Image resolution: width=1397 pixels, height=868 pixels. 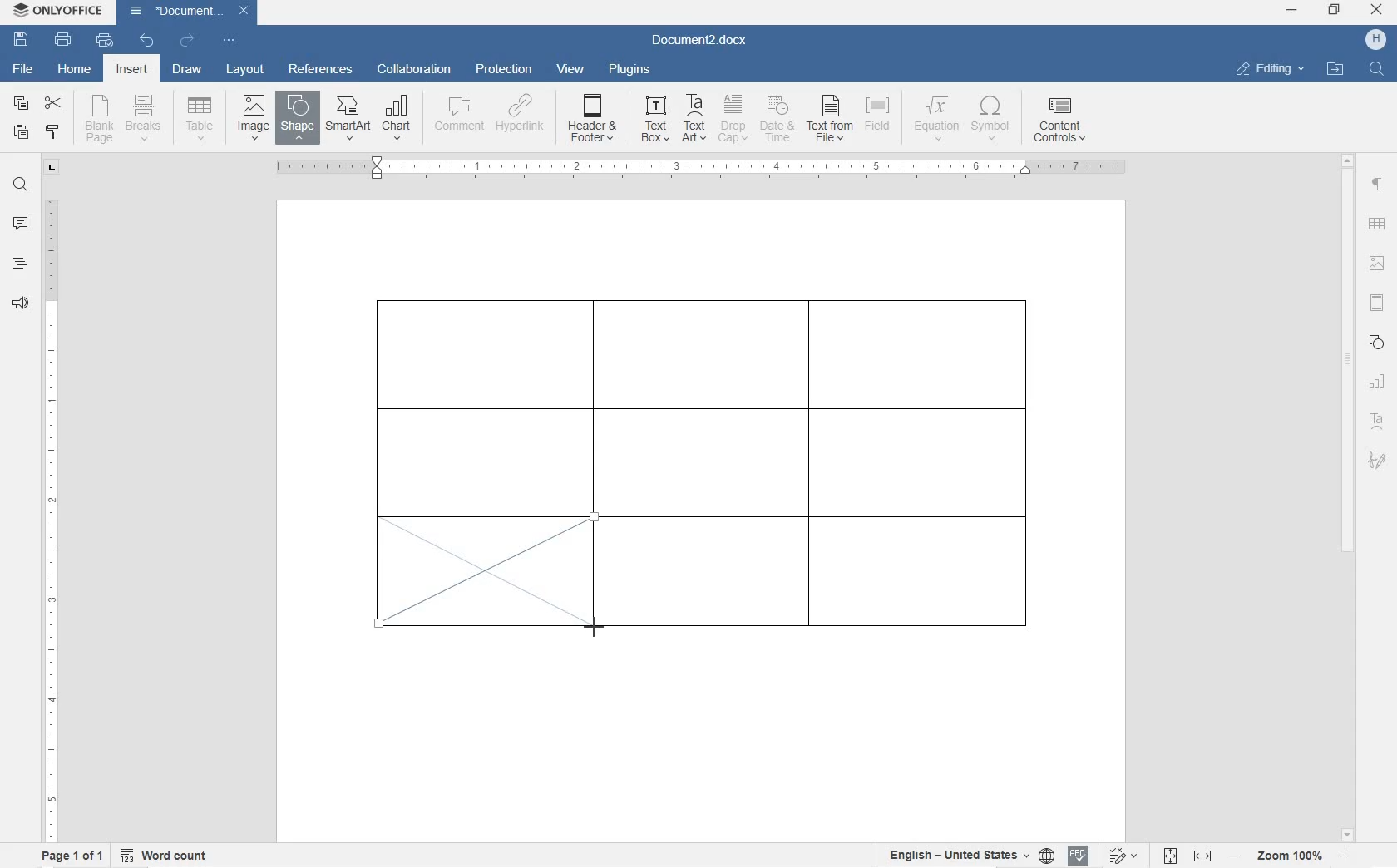 I want to click on track changes, so click(x=1127, y=856).